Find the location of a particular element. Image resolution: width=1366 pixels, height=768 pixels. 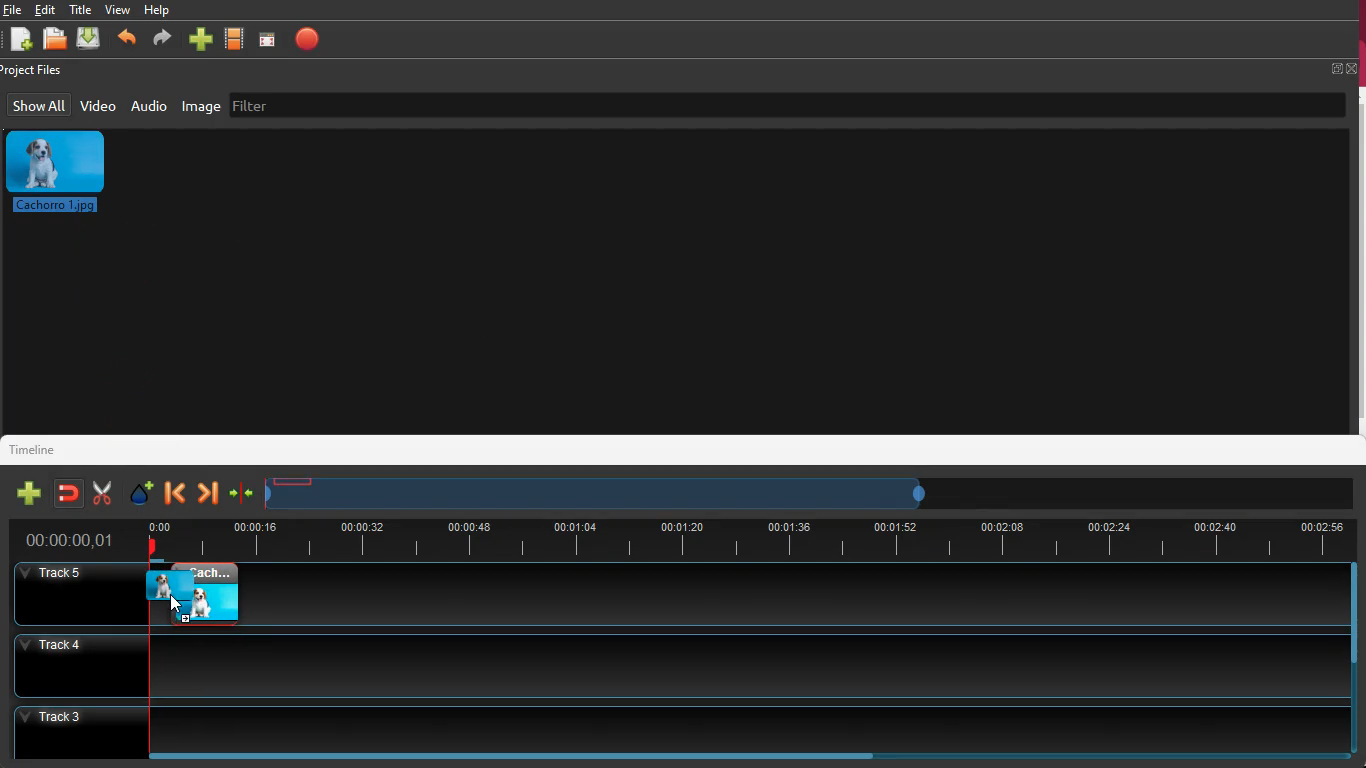

back is located at coordinates (126, 41).